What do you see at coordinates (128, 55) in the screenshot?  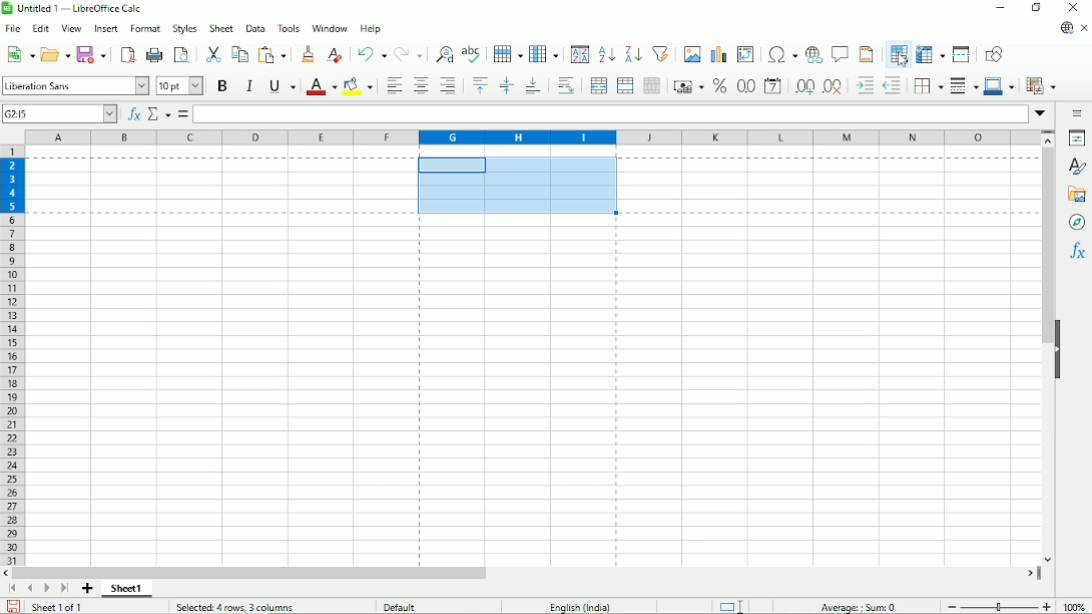 I see `Export directly as PDF` at bounding box center [128, 55].